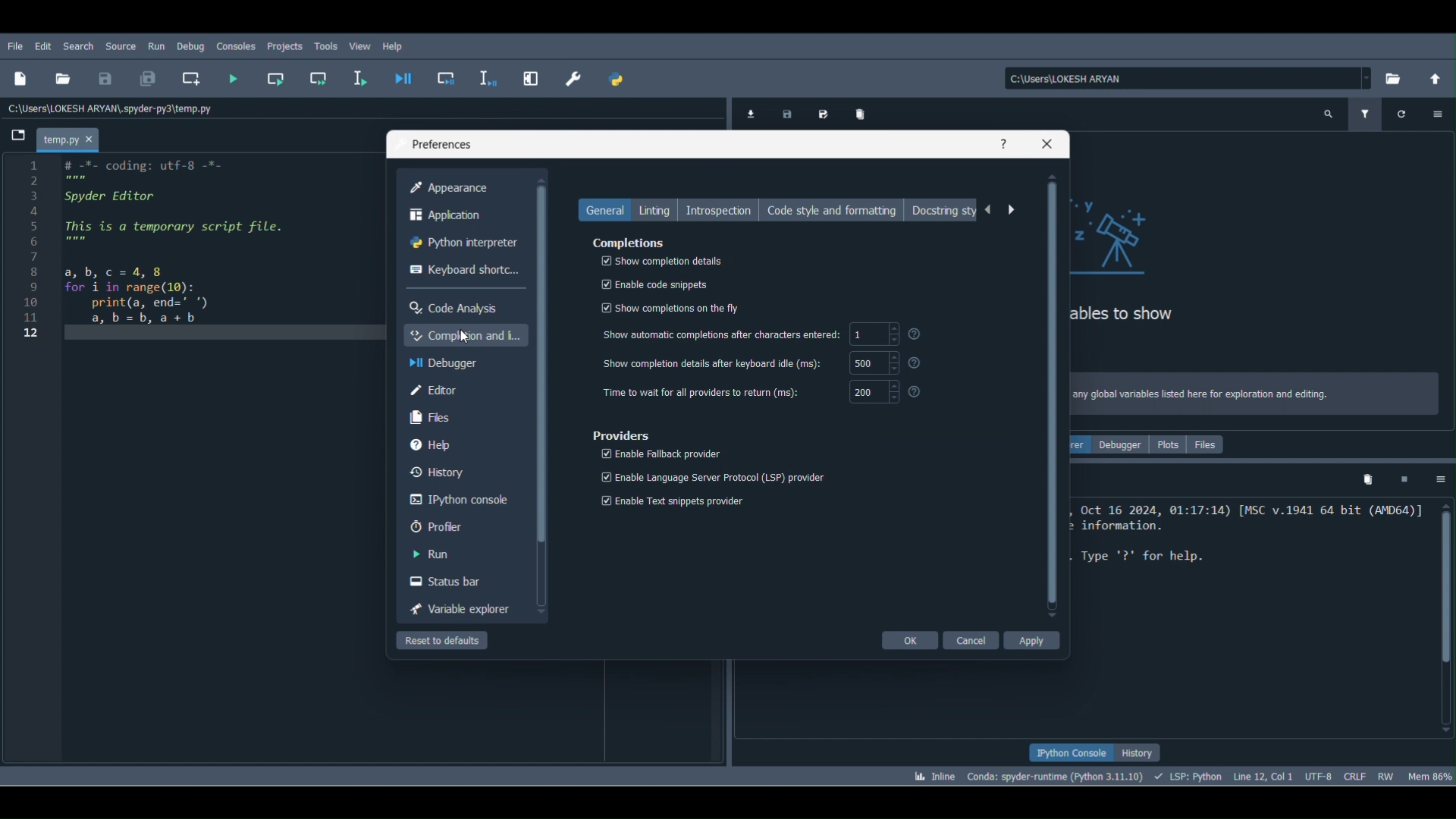 This screenshot has width=1456, height=819. I want to click on Right, so click(1011, 211).